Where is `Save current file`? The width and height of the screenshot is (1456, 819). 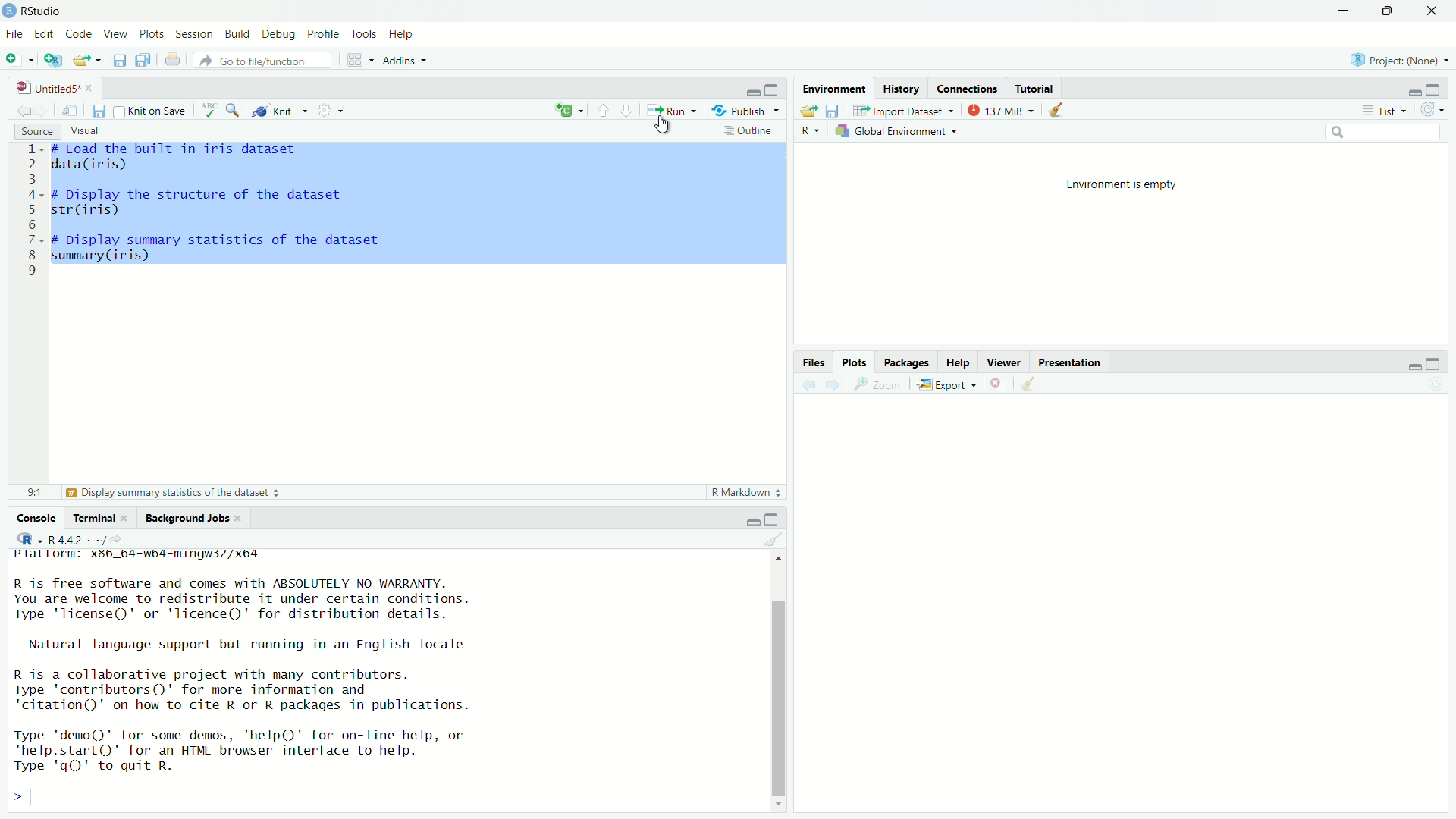
Save current file is located at coordinates (119, 61).